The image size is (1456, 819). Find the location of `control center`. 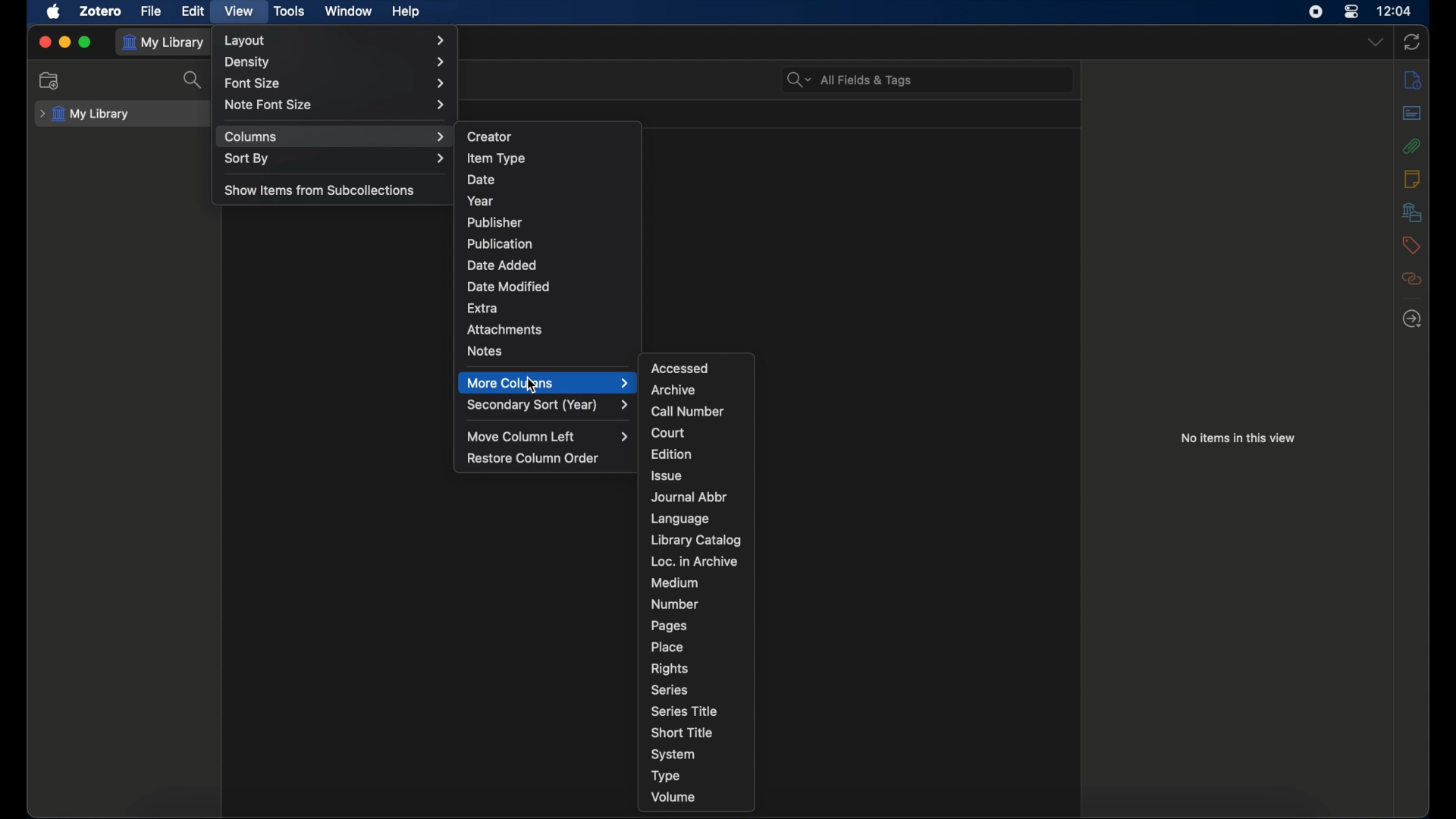

control center is located at coordinates (1352, 12).